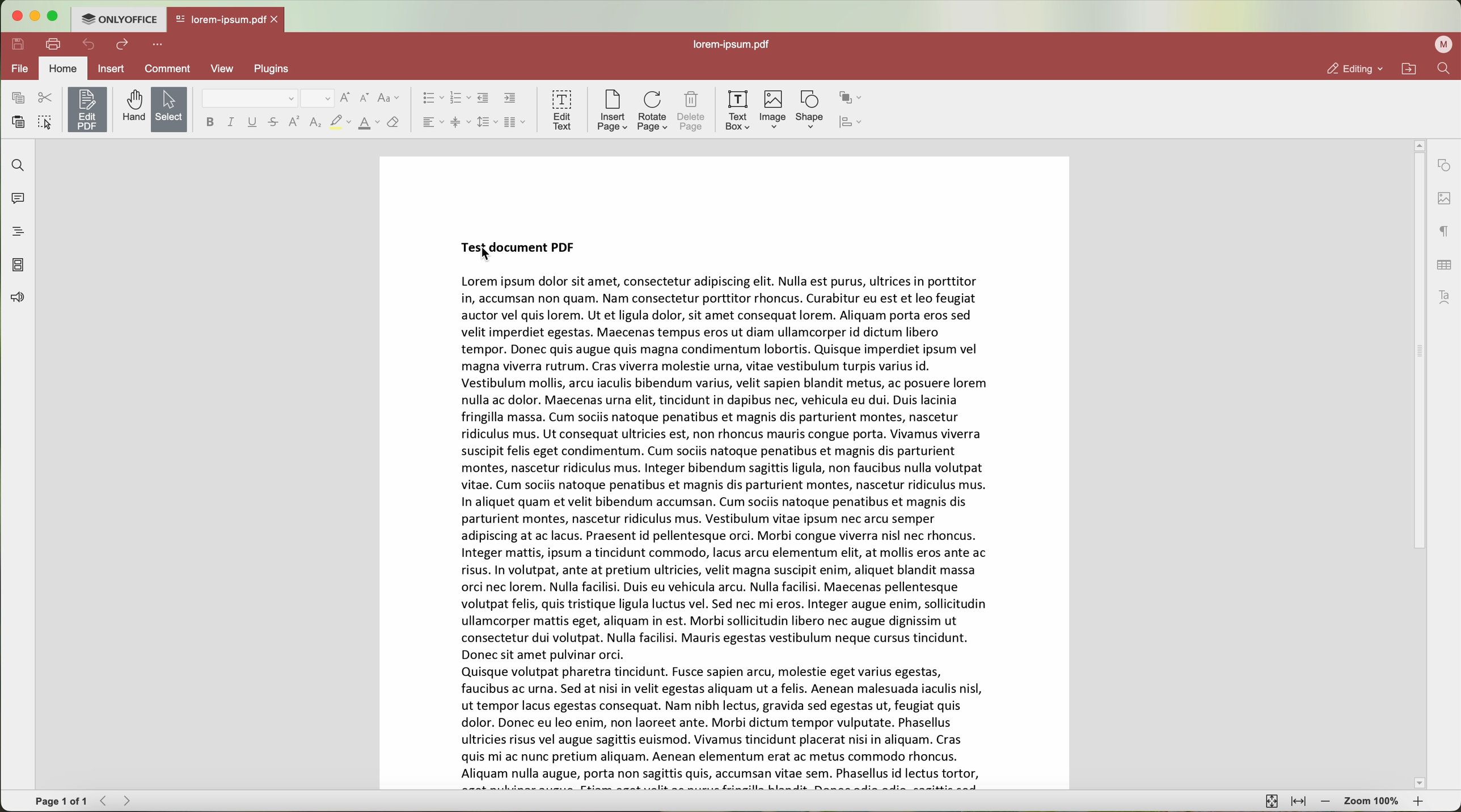 This screenshot has width=1461, height=812. Describe the element at coordinates (514, 122) in the screenshot. I see `insert columns` at that location.